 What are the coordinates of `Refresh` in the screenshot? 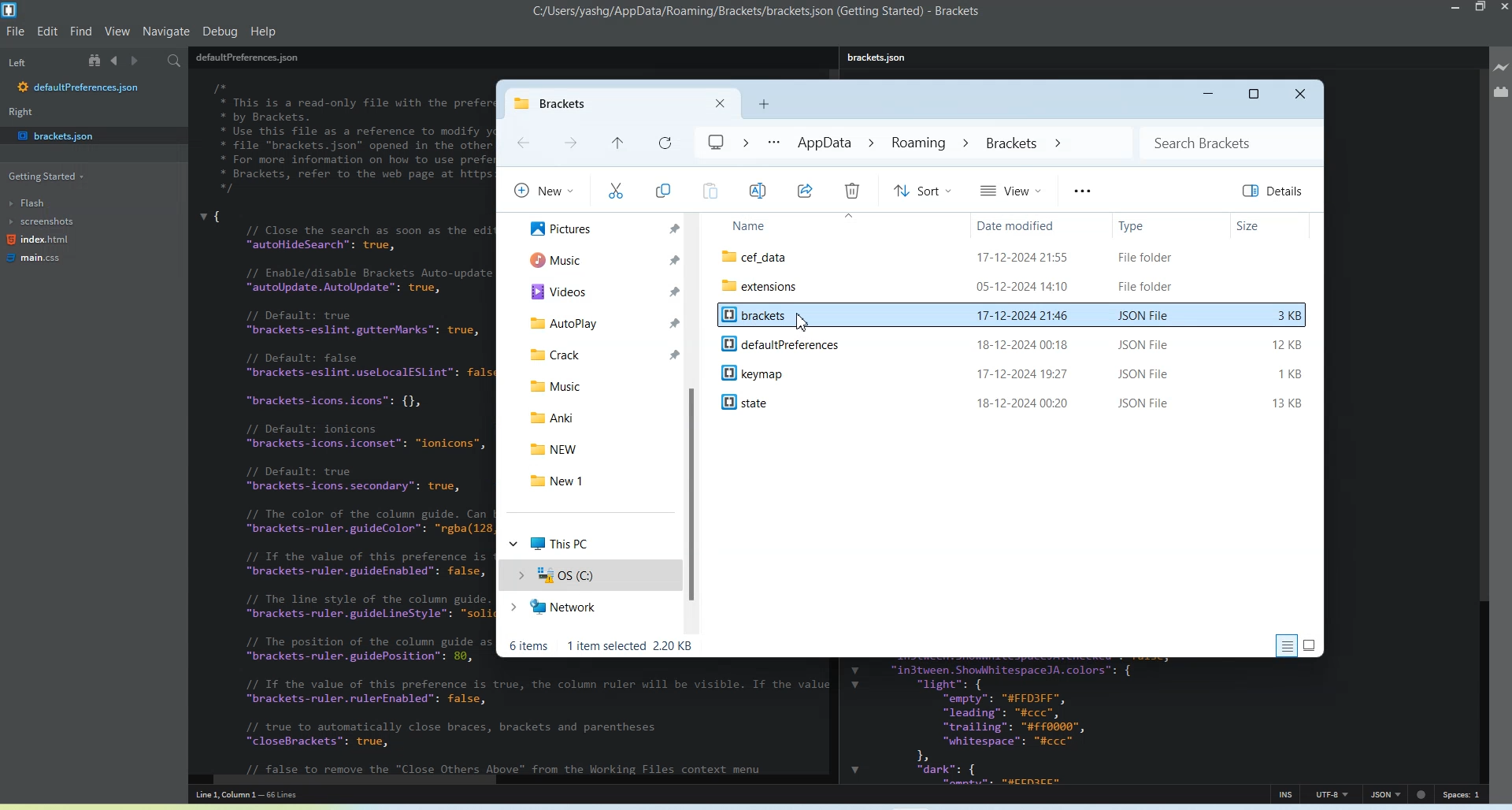 It's located at (662, 143).